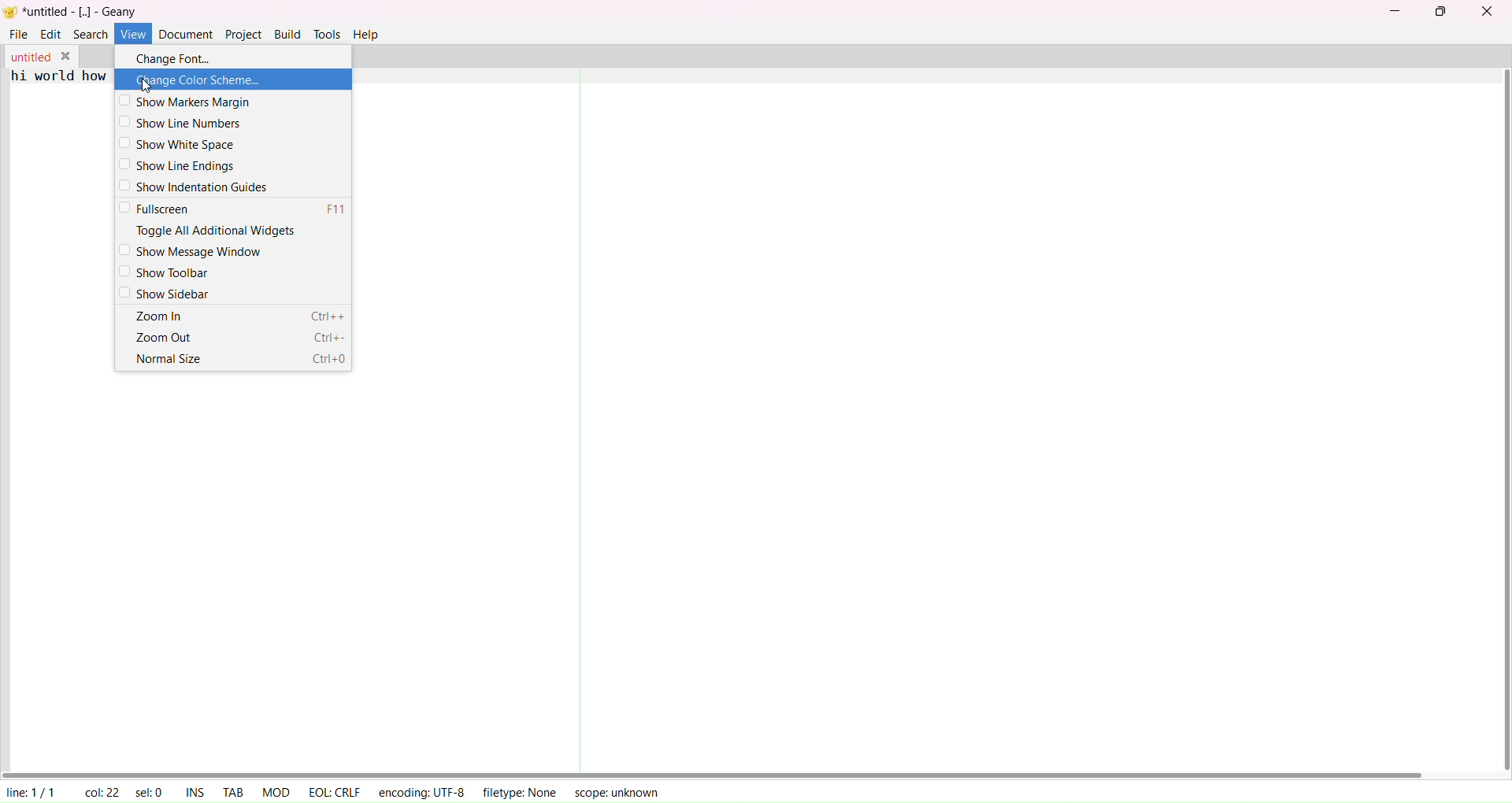  What do you see at coordinates (242, 320) in the screenshot?
I see `zoom in` at bounding box center [242, 320].